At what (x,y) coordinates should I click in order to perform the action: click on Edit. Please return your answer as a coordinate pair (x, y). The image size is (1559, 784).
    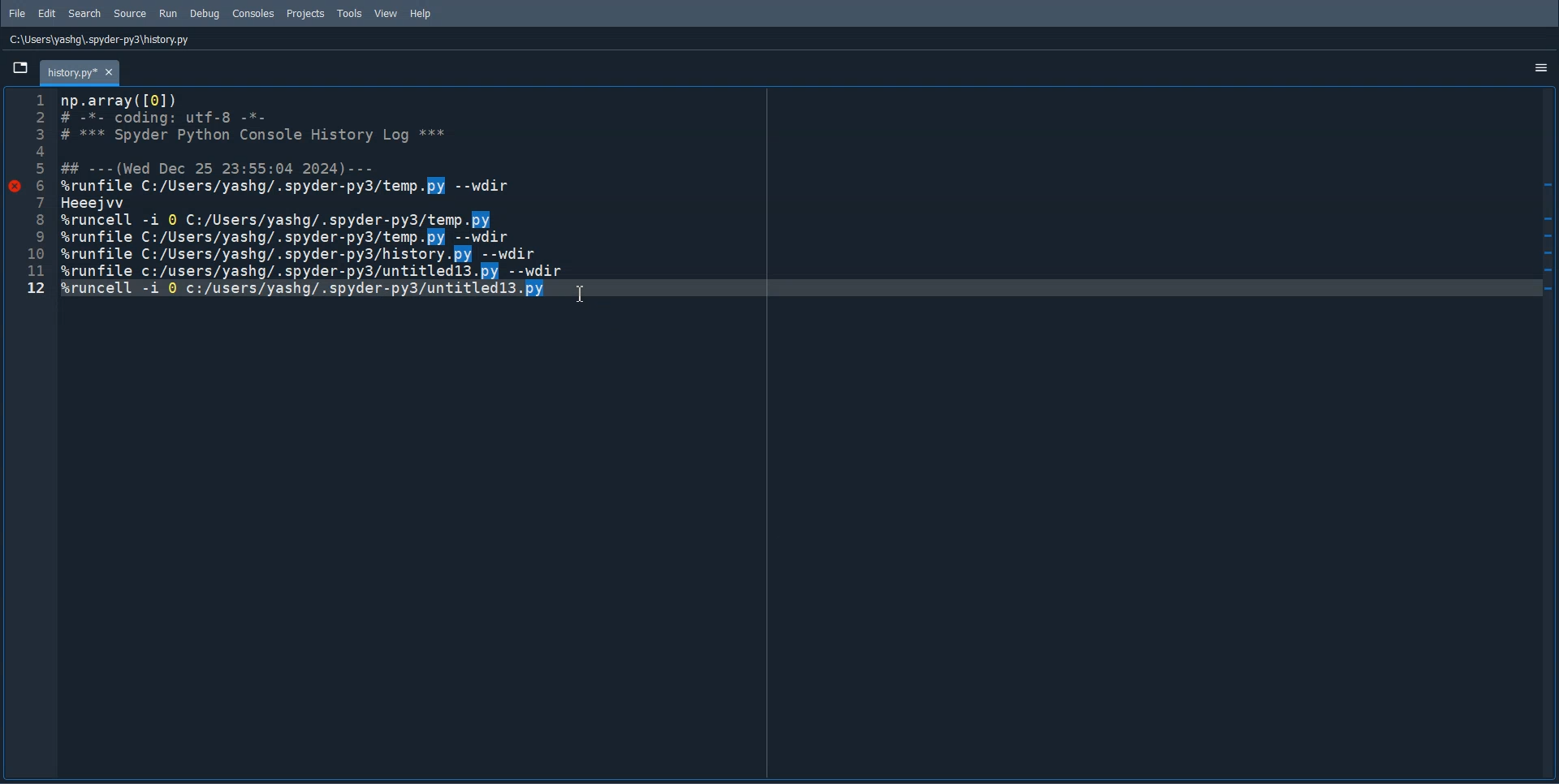
    Looking at the image, I should click on (47, 13).